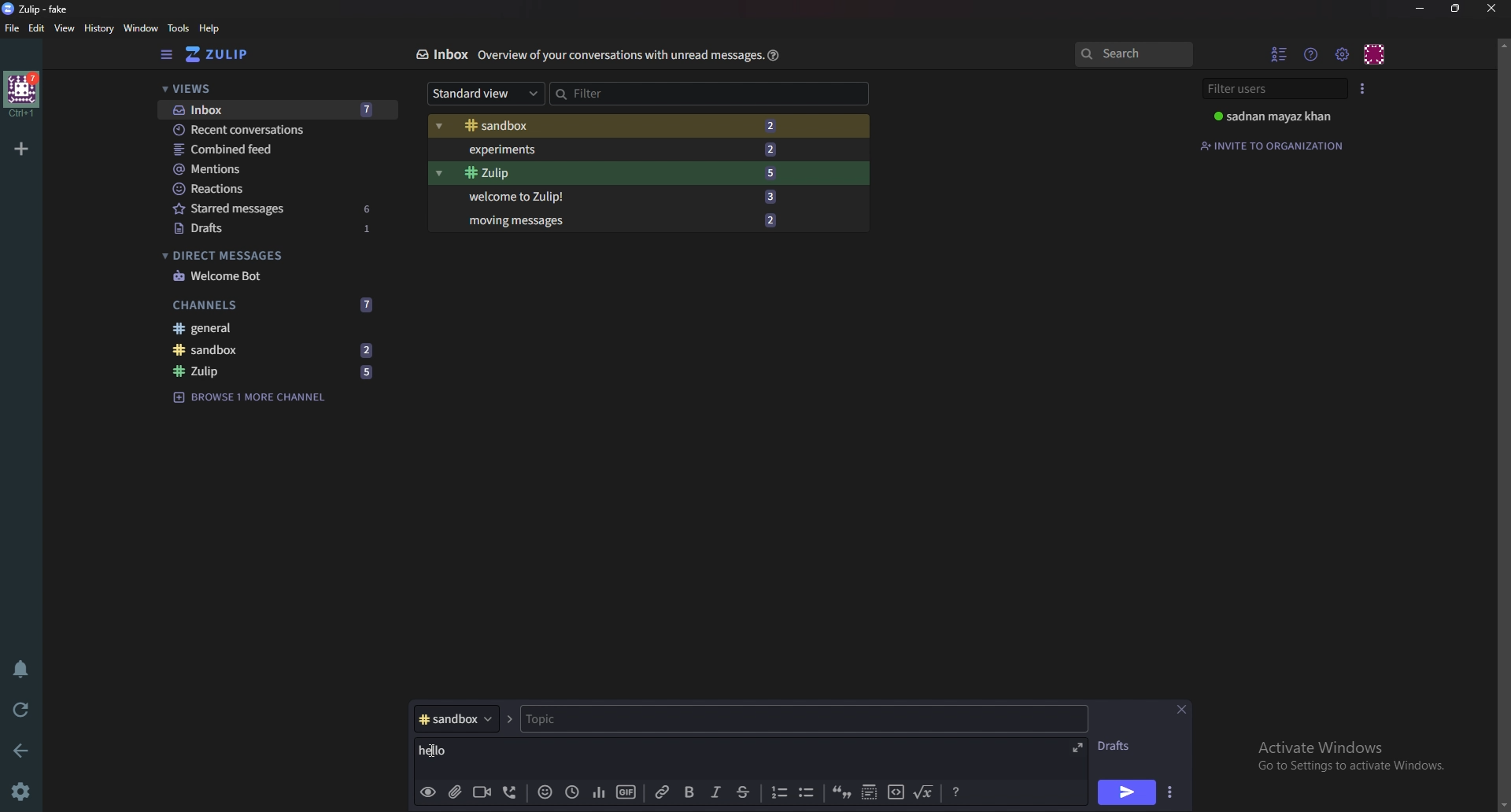  Describe the element at coordinates (924, 793) in the screenshot. I see `Math` at that location.